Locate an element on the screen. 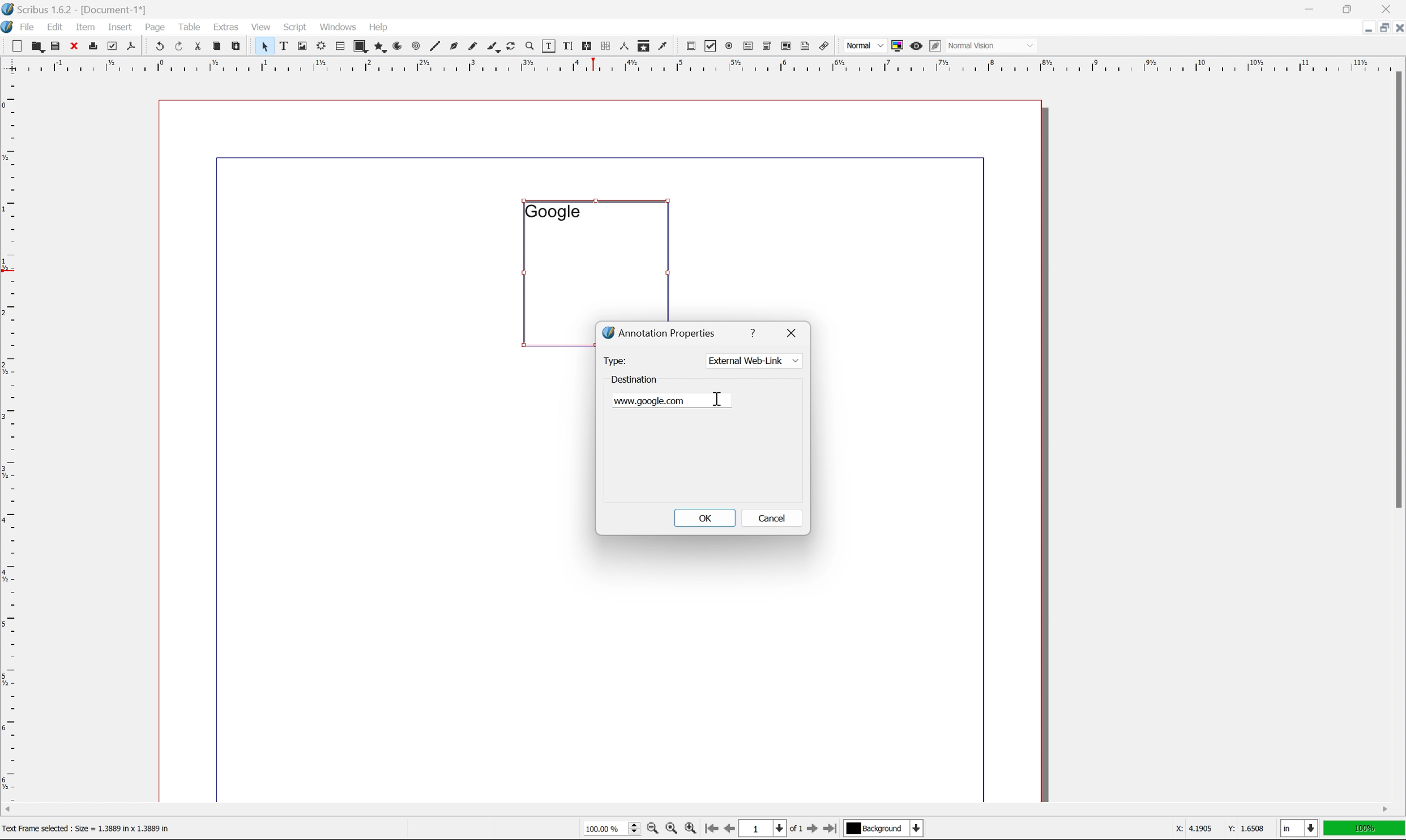  preview mode is located at coordinates (914, 45).